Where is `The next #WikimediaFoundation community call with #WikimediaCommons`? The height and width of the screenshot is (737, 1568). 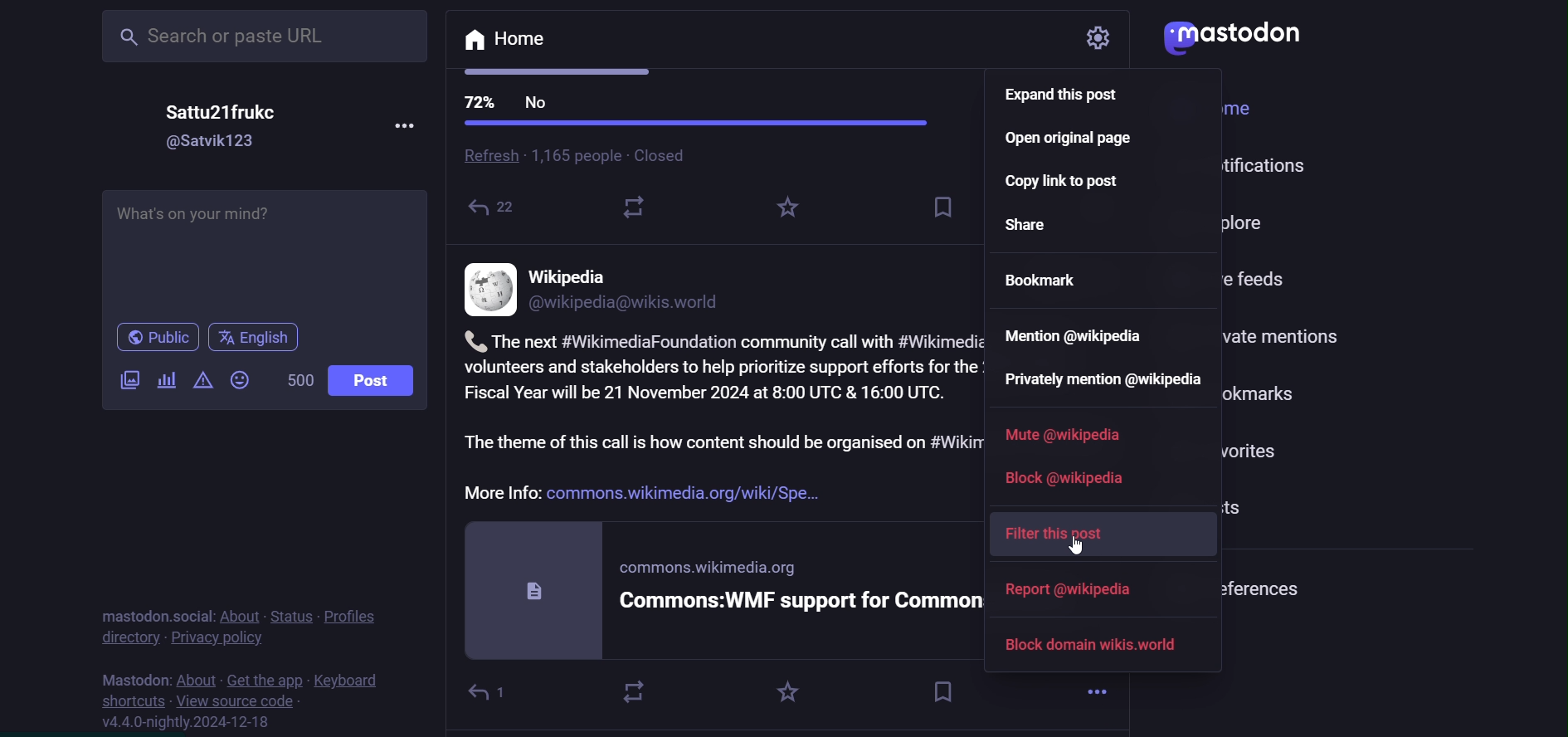
The next #WikimediaFoundation community call with #WikimediaCommons is located at coordinates (739, 339).